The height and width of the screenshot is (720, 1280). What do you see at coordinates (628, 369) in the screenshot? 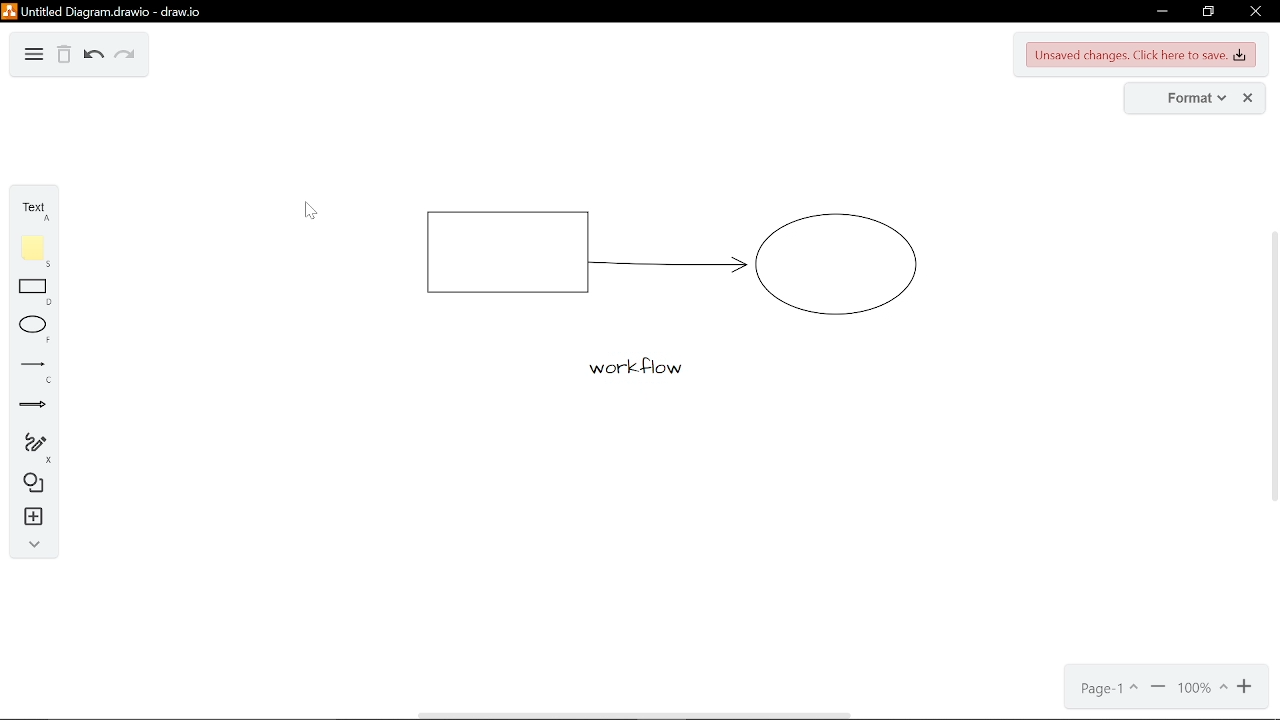
I see `text box titled "workflow" added` at bounding box center [628, 369].